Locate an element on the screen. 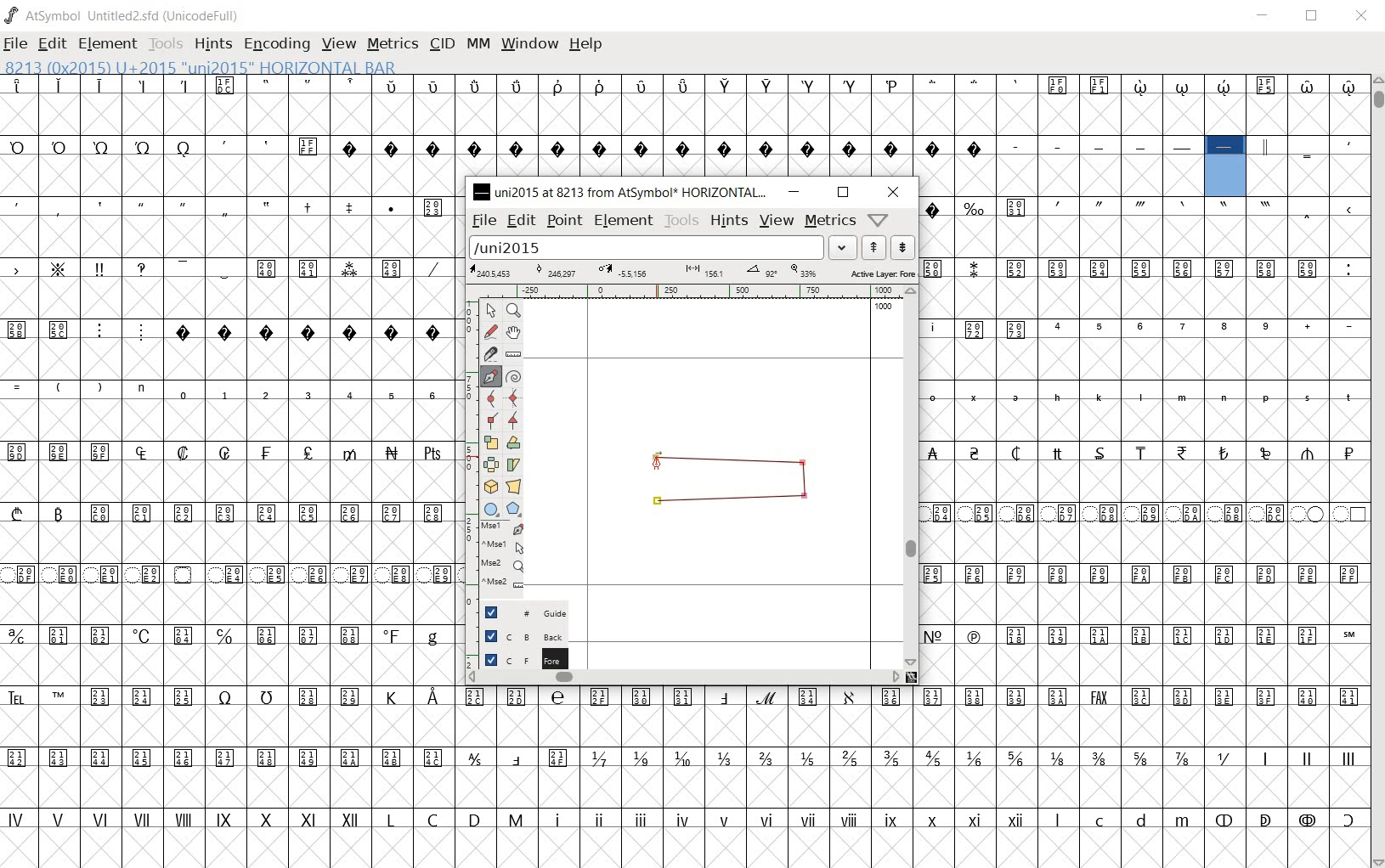 This screenshot has height=868, width=1385. Add a corner point is located at coordinates (512, 420).